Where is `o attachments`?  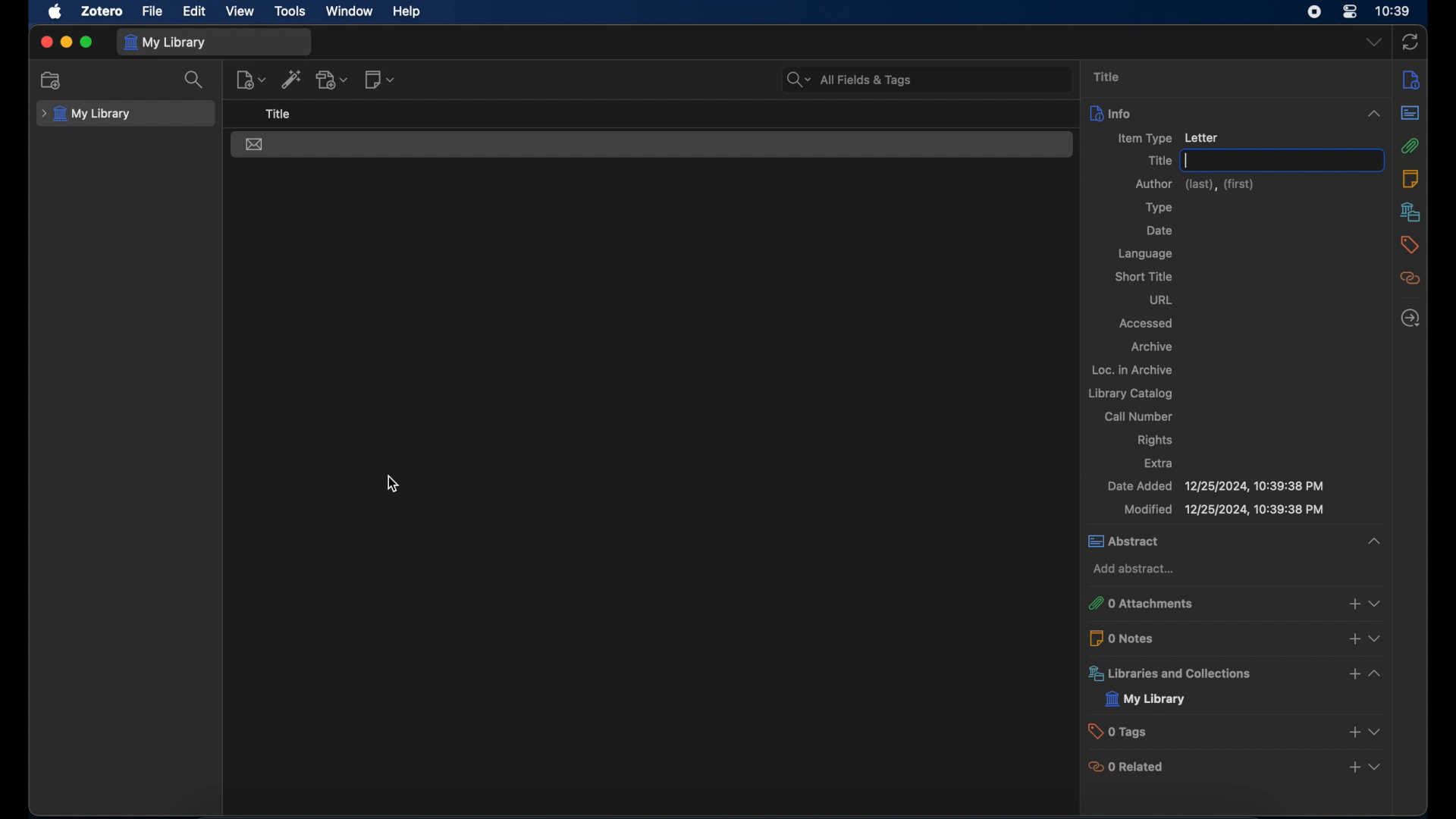 o attachments is located at coordinates (1138, 603).